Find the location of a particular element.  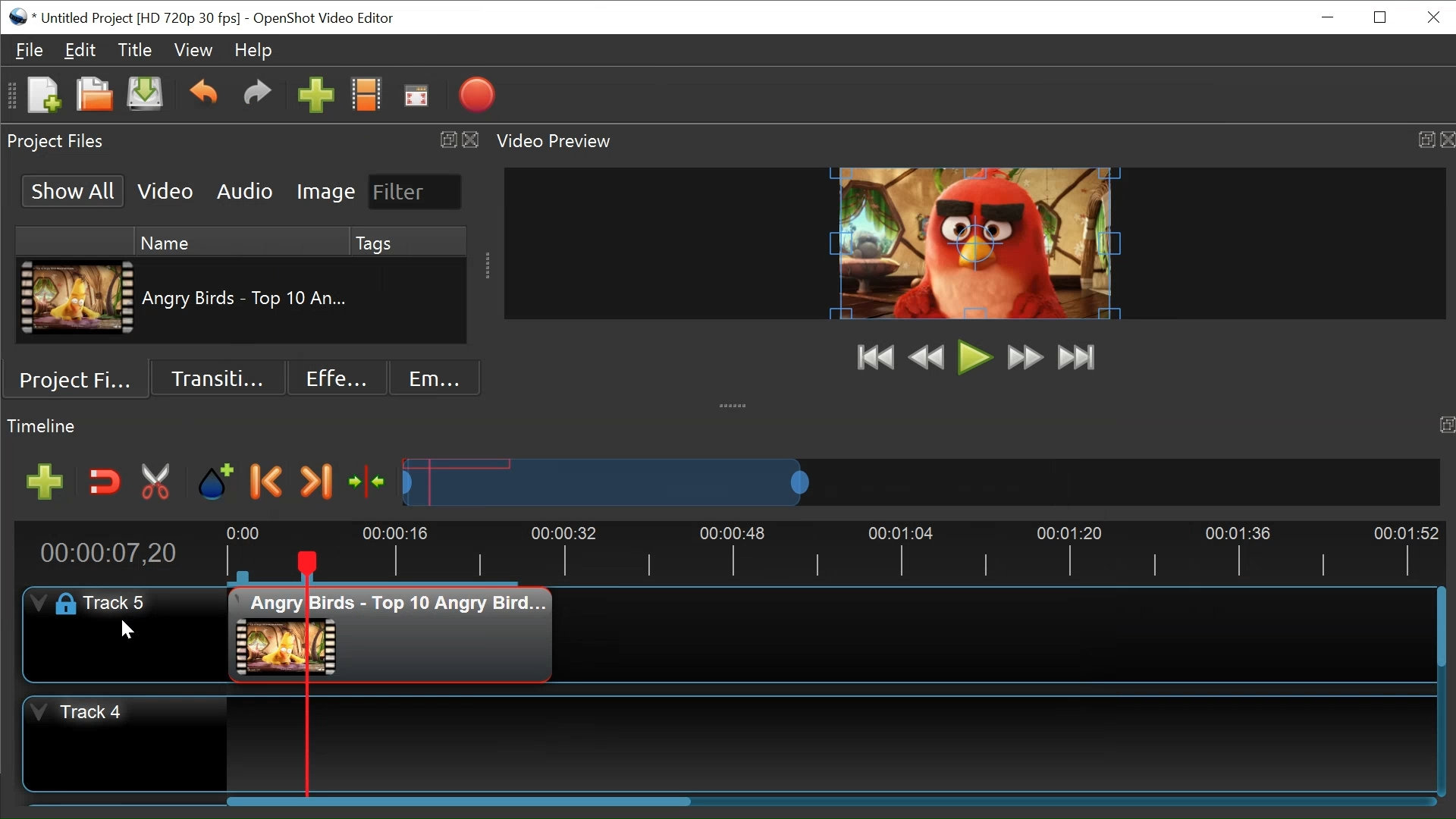

Project Name is located at coordinates (139, 19).